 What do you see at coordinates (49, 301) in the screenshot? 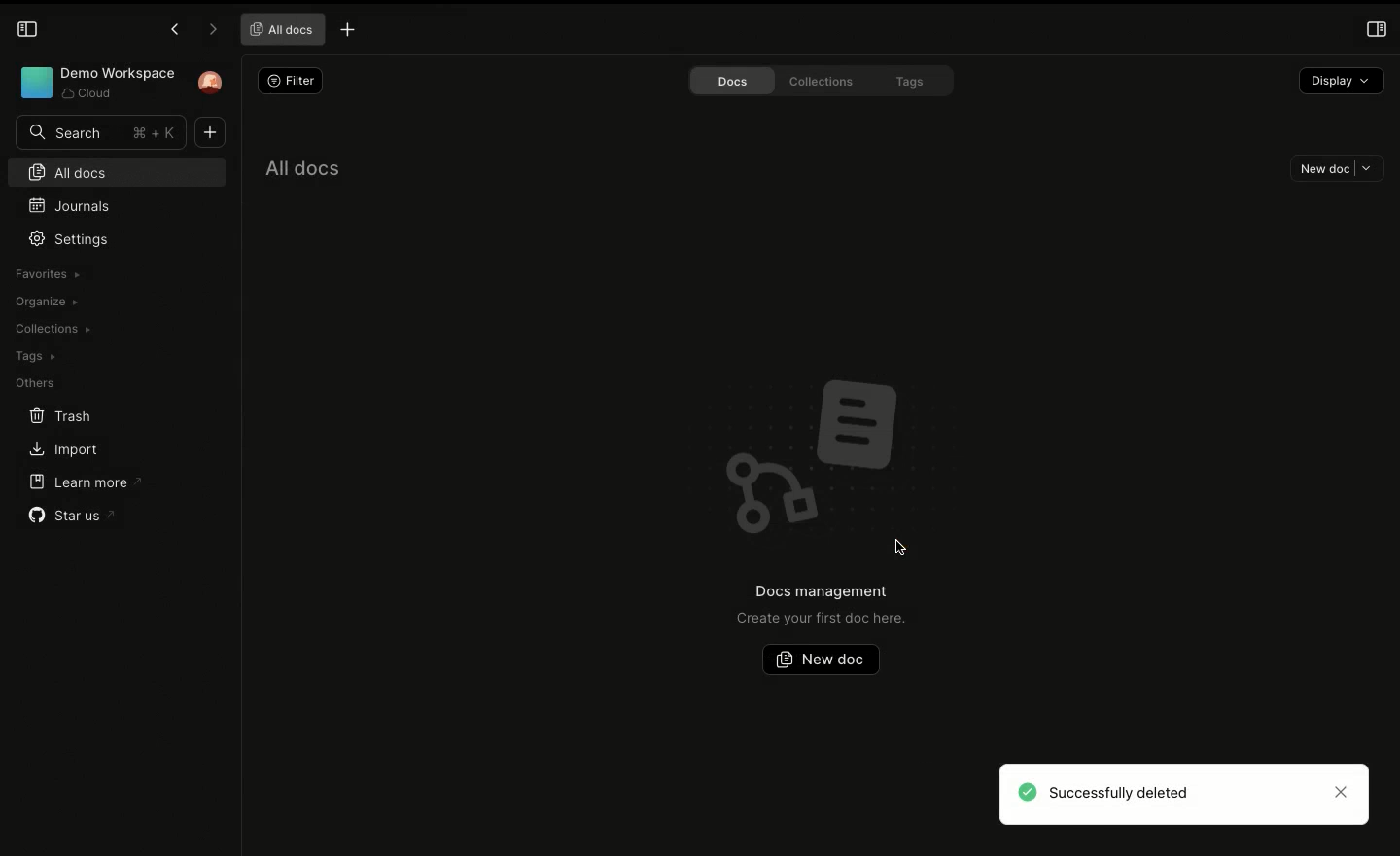
I see `Organize` at bounding box center [49, 301].